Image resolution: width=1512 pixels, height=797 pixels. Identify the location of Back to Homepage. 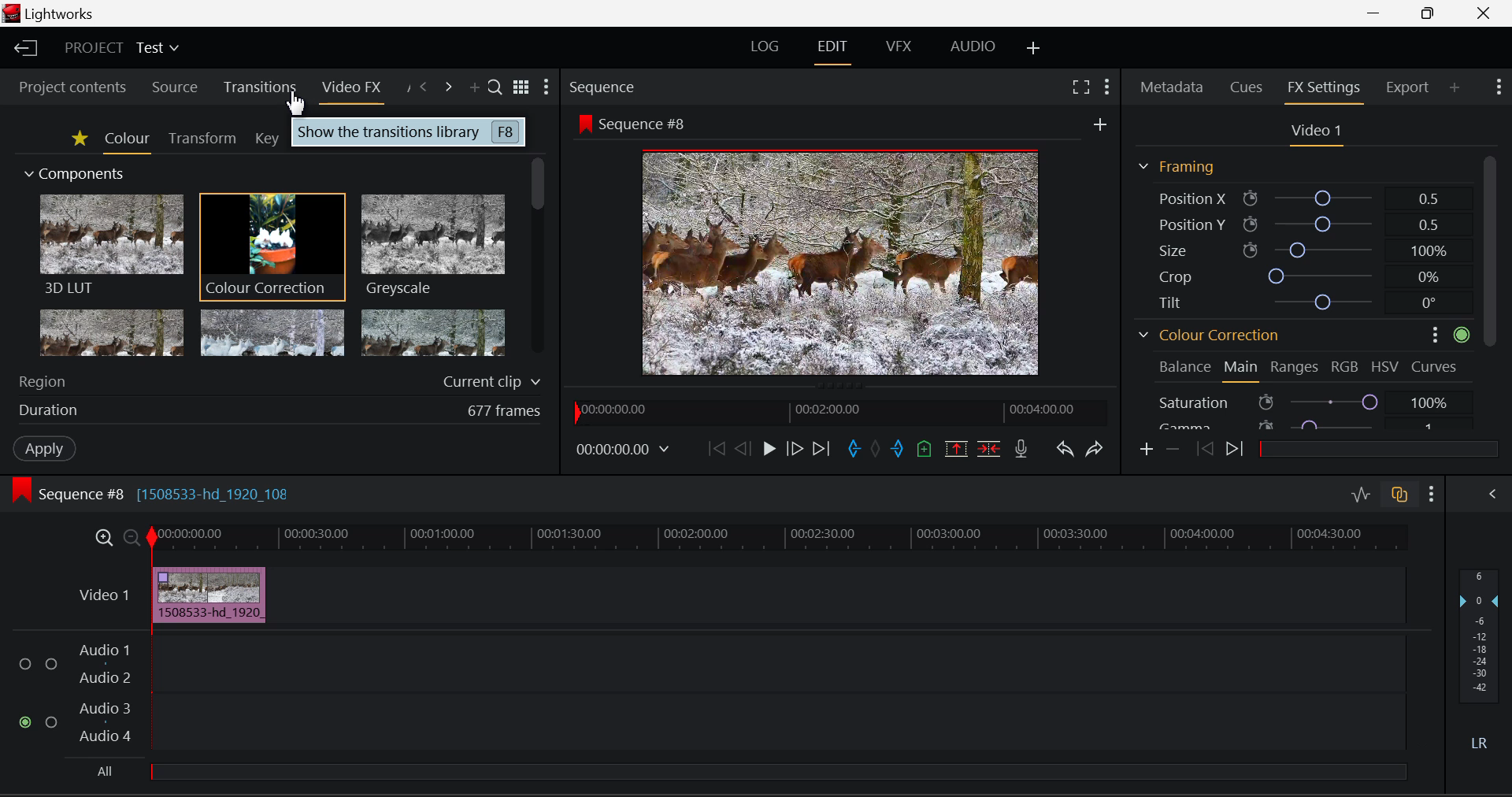
(24, 49).